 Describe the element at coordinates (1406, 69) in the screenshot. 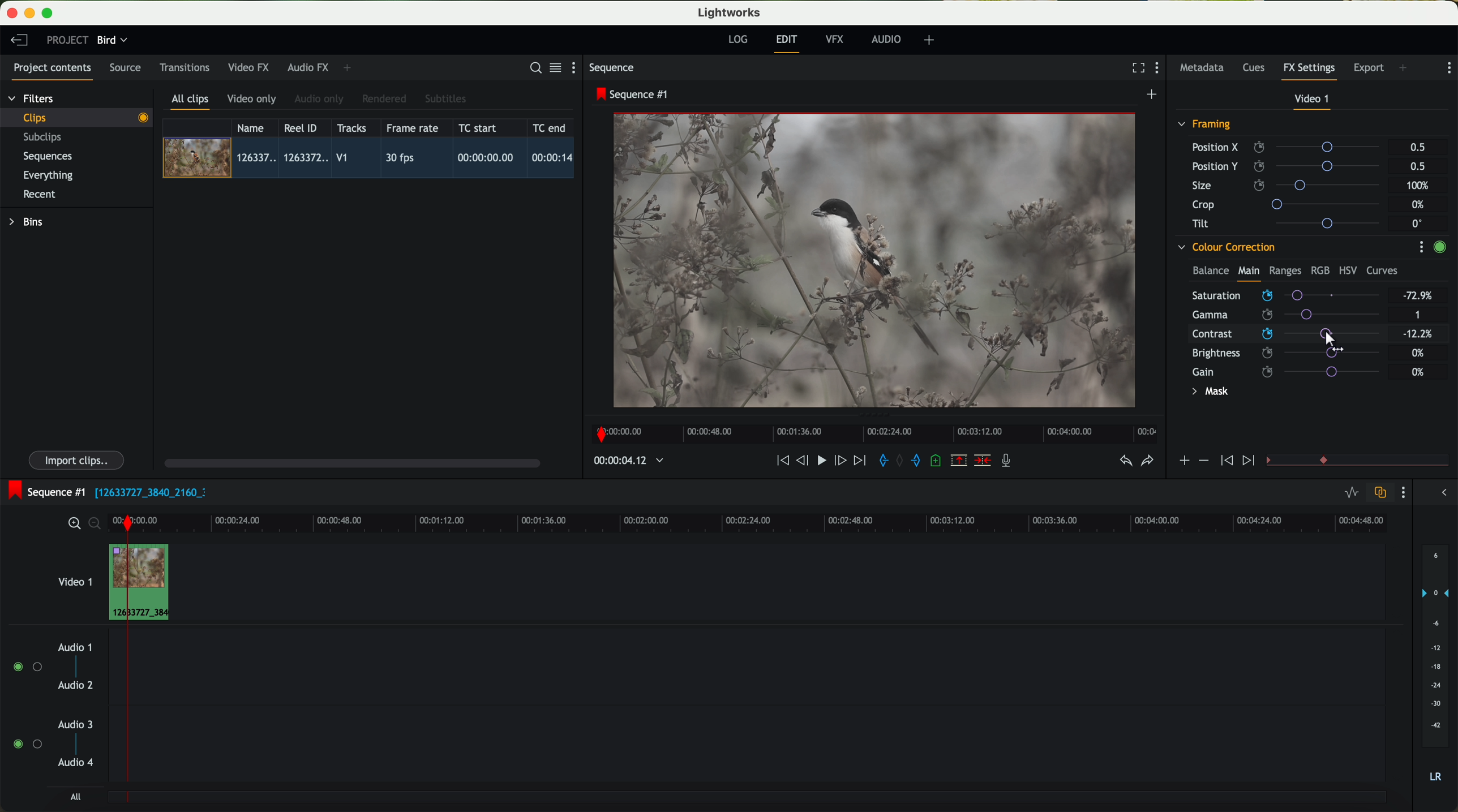

I see `add panel` at that location.